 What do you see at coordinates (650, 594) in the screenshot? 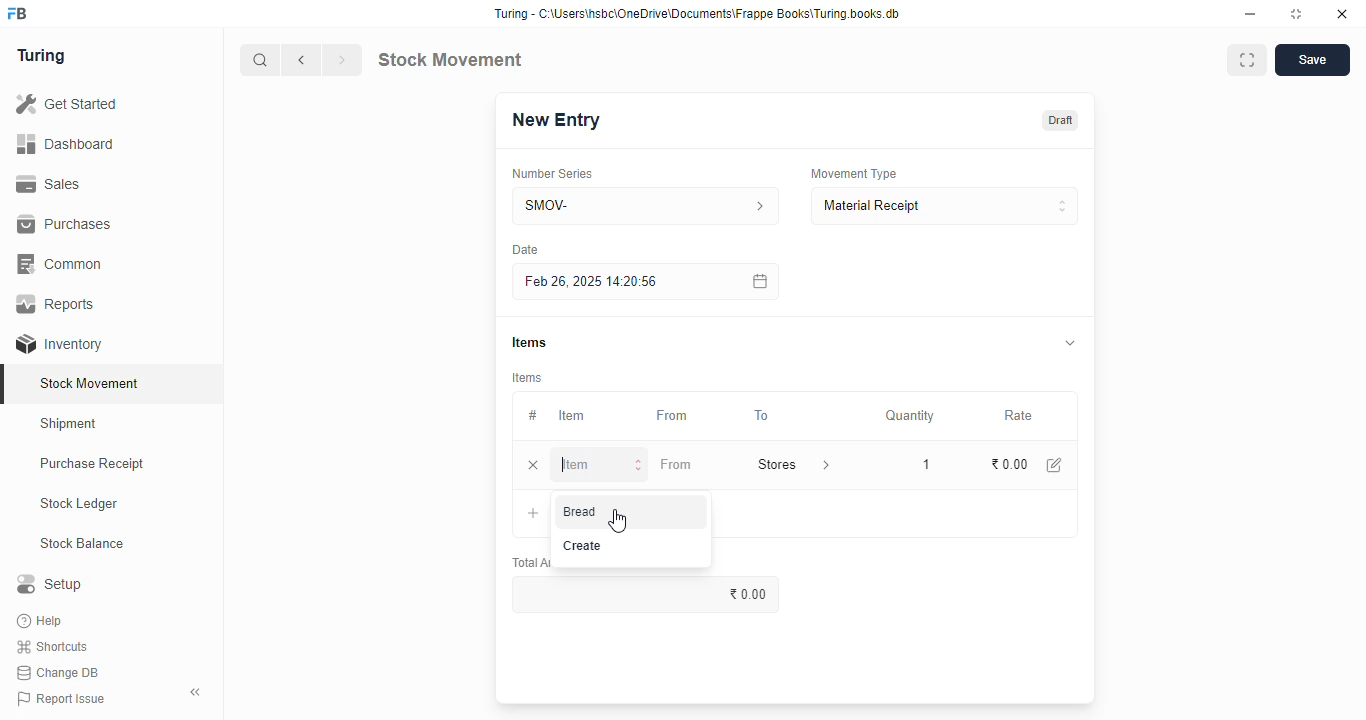
I see `₹0.00` at bounding box center [650, 594].